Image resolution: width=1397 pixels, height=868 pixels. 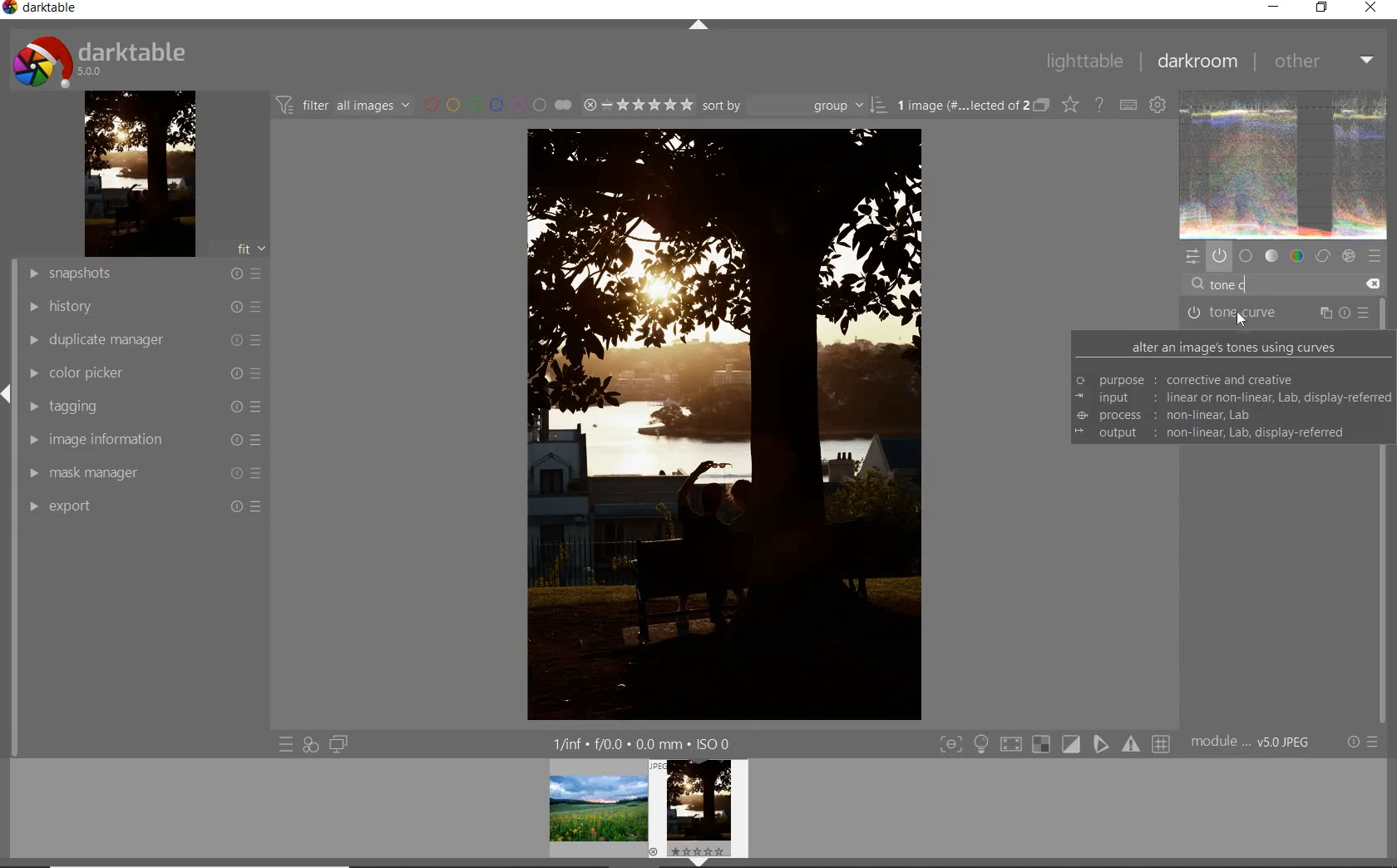 What do you see at coordinates (1320, 60) in the screenshot?
I see `other` at bounding box center [1320, 60].